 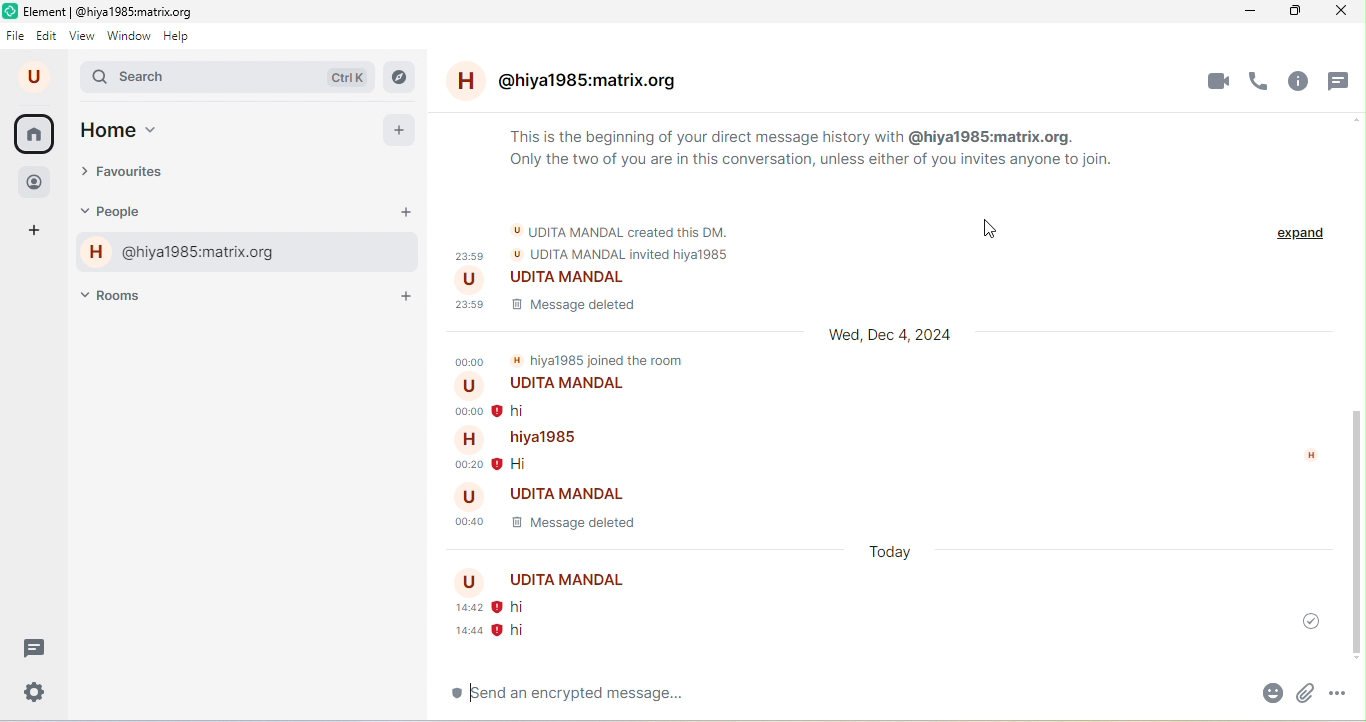 I want to click on message deleted, so click(x=573, y=310).